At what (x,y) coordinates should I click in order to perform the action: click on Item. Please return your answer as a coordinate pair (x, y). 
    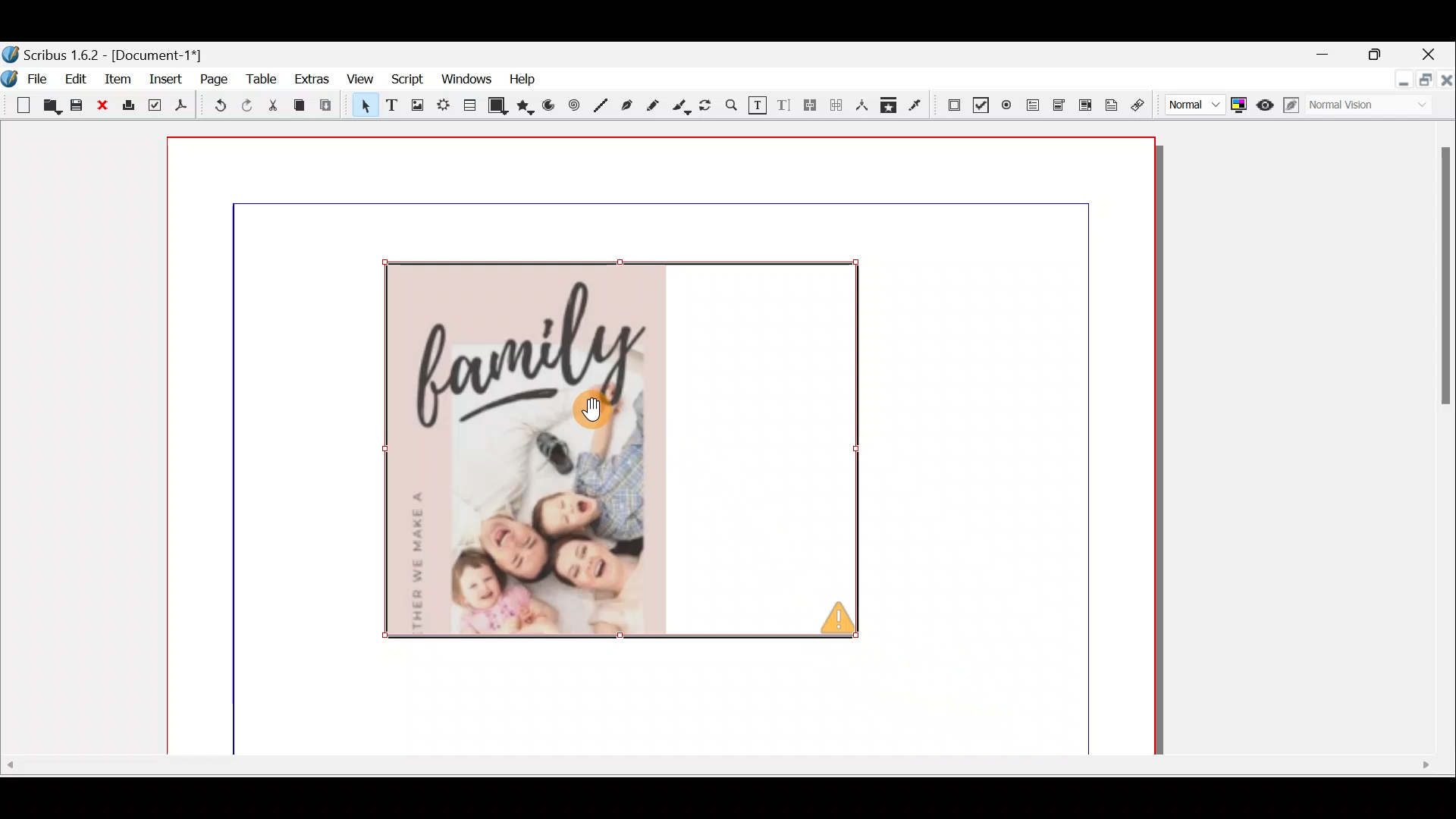
    Looking at the image, I should click on (116, 78).